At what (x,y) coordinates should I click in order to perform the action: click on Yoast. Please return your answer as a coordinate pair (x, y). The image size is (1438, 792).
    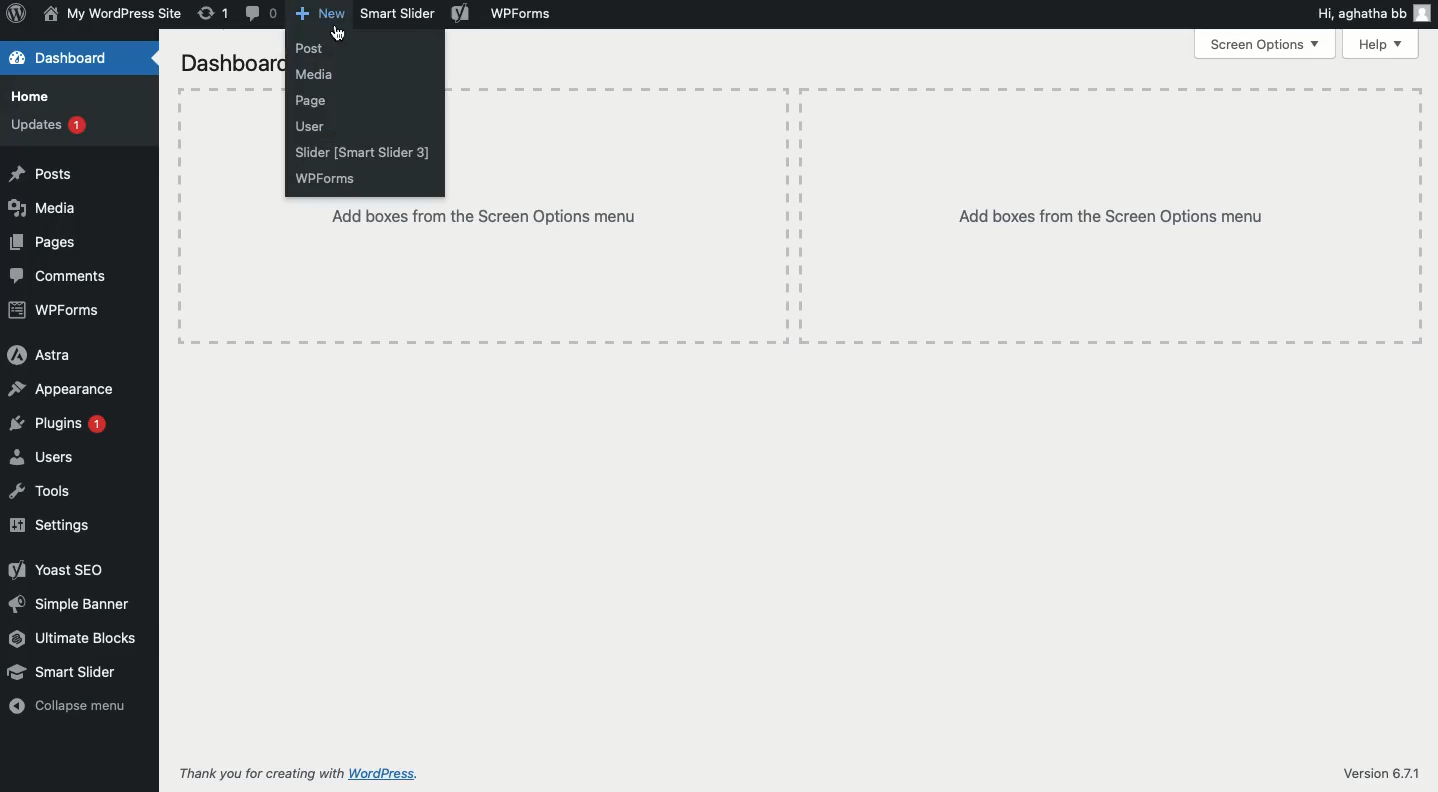
    Looking at the image, I should click on (462, 14).